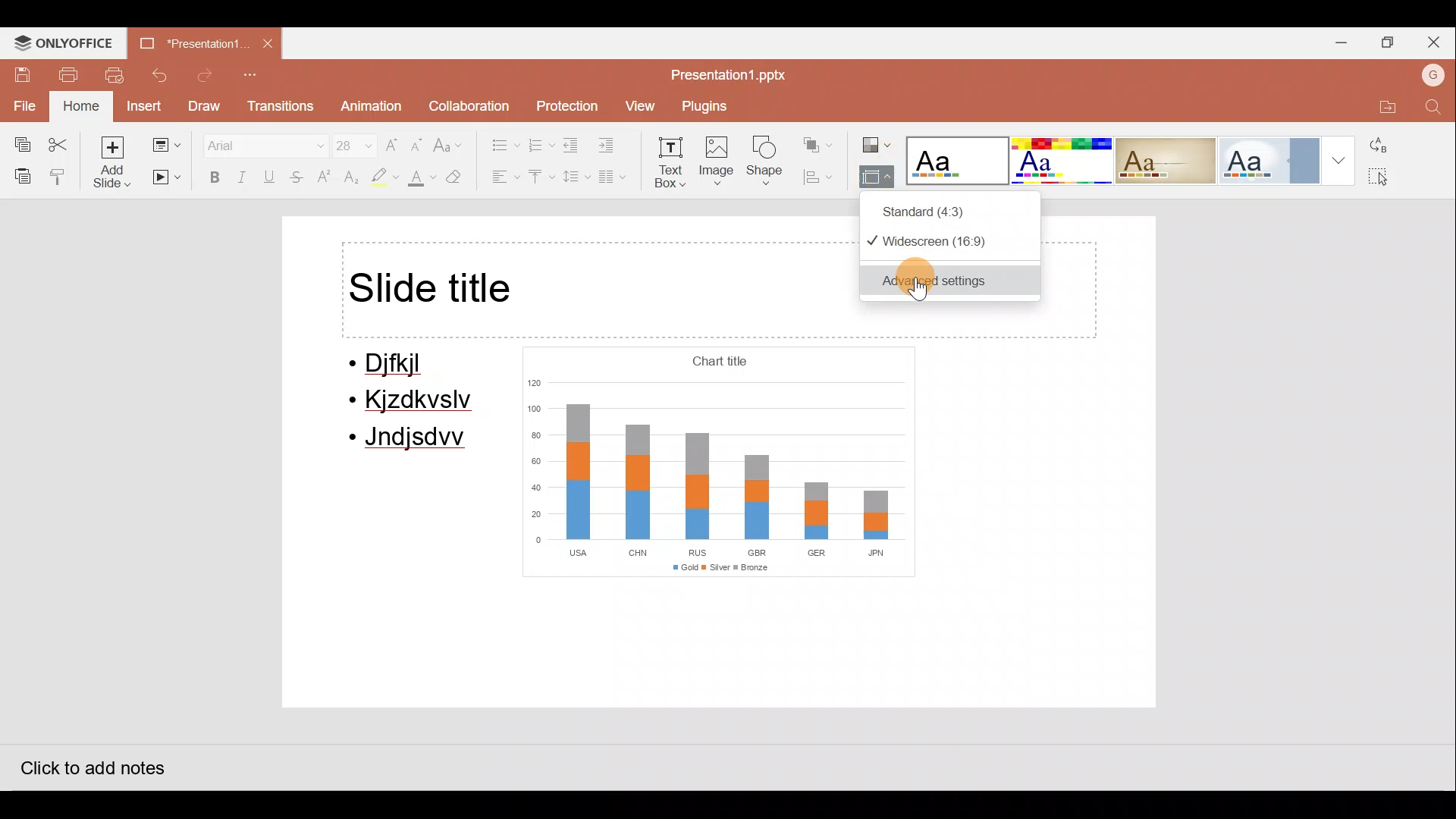 This screenshot has height=819, width=1456. What do you see at coordinates (325, 178) in the screenshot?
I see `Superscript` at bounding box center [325, 178].